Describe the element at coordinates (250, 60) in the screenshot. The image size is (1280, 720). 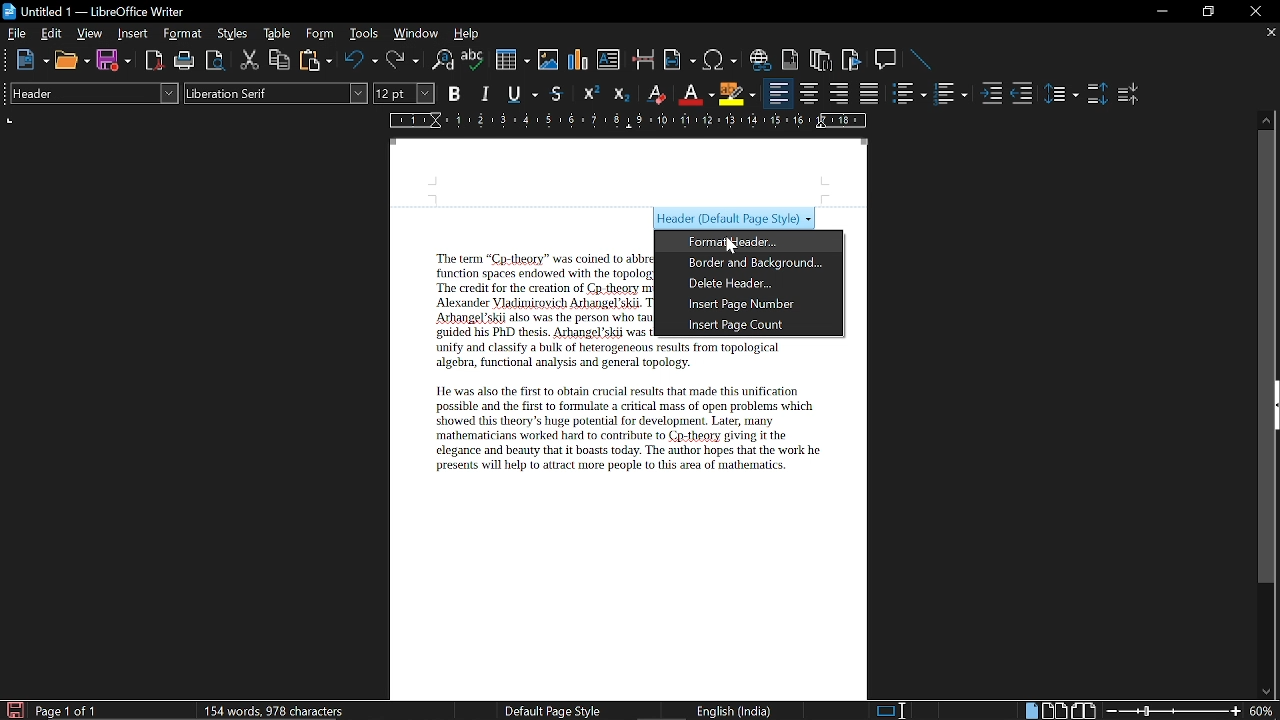
I see `Cut` at that location.